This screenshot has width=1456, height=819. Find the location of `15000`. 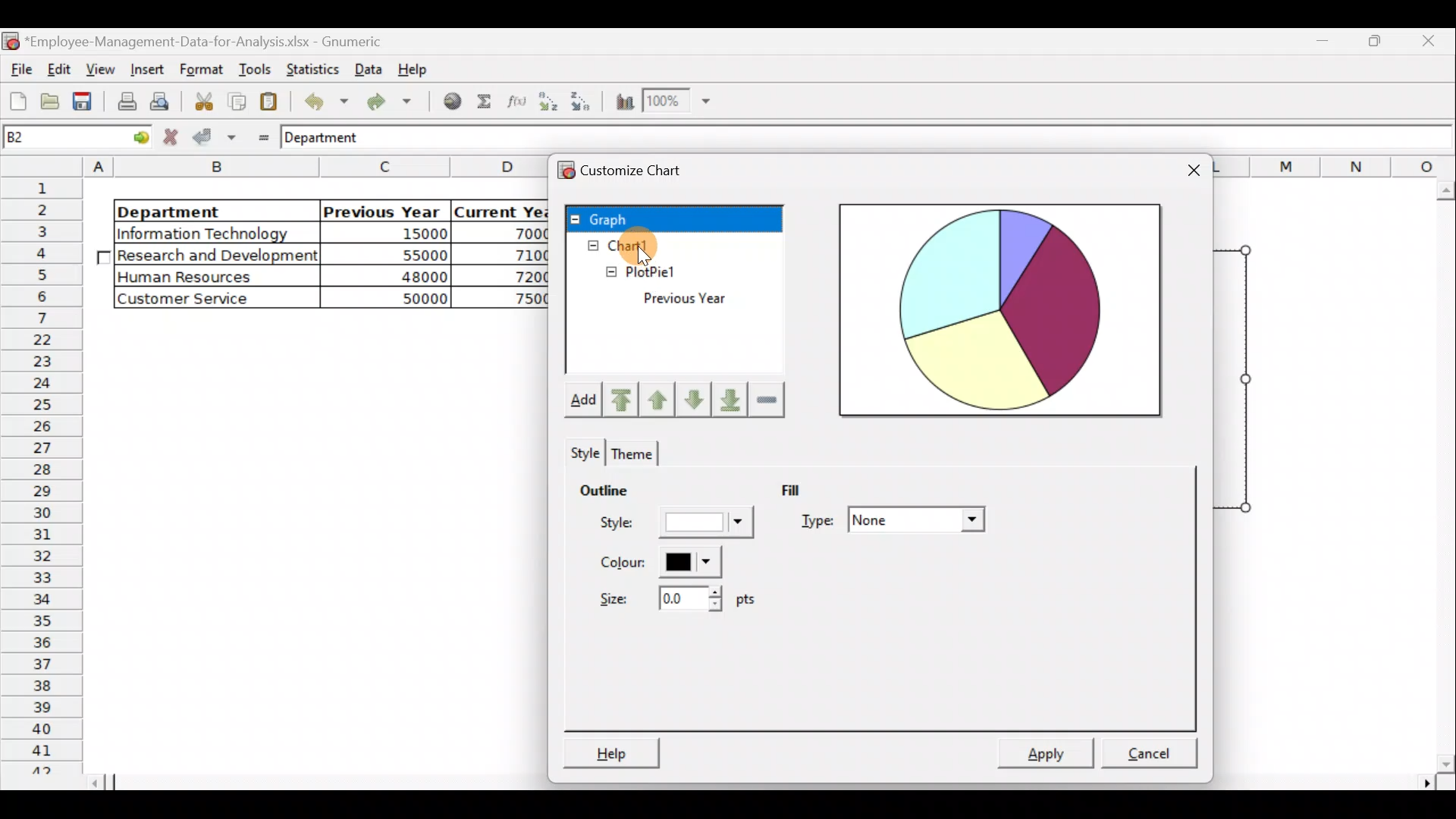

15000 is located at coordinates (397, 236).